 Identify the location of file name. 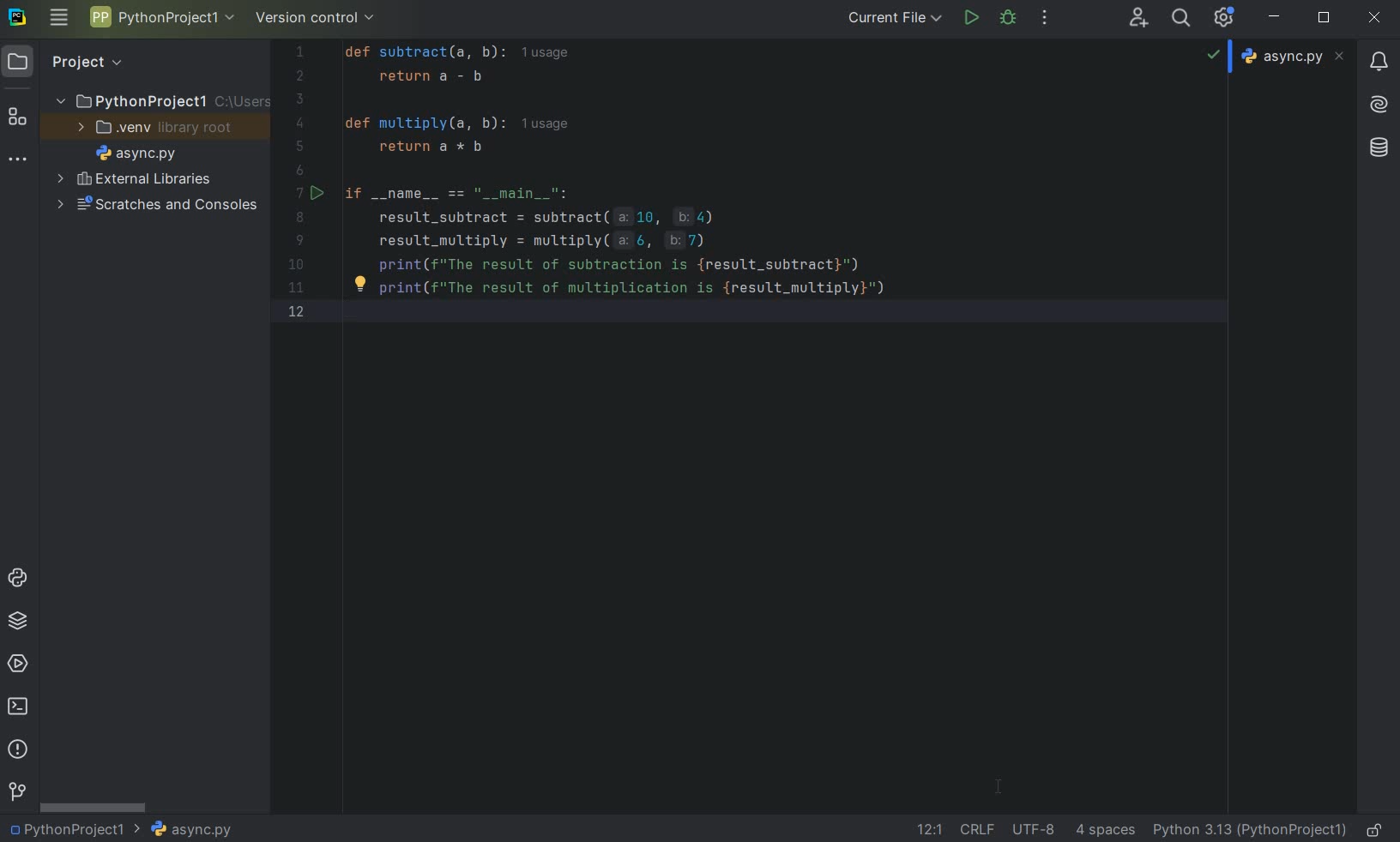
(142, 154).